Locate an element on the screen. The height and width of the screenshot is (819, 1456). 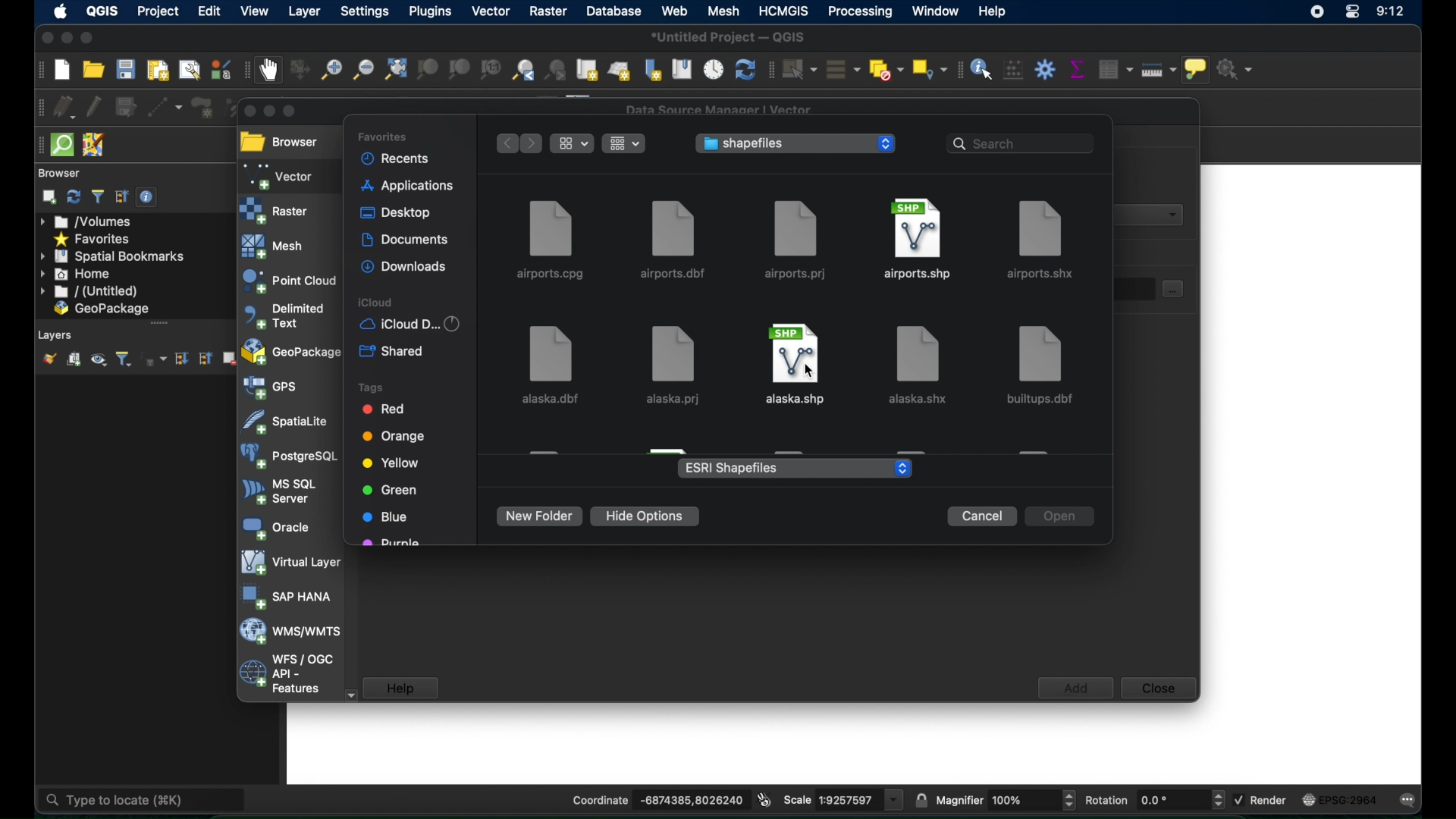
zoom next is located at coordinates (558, 69).